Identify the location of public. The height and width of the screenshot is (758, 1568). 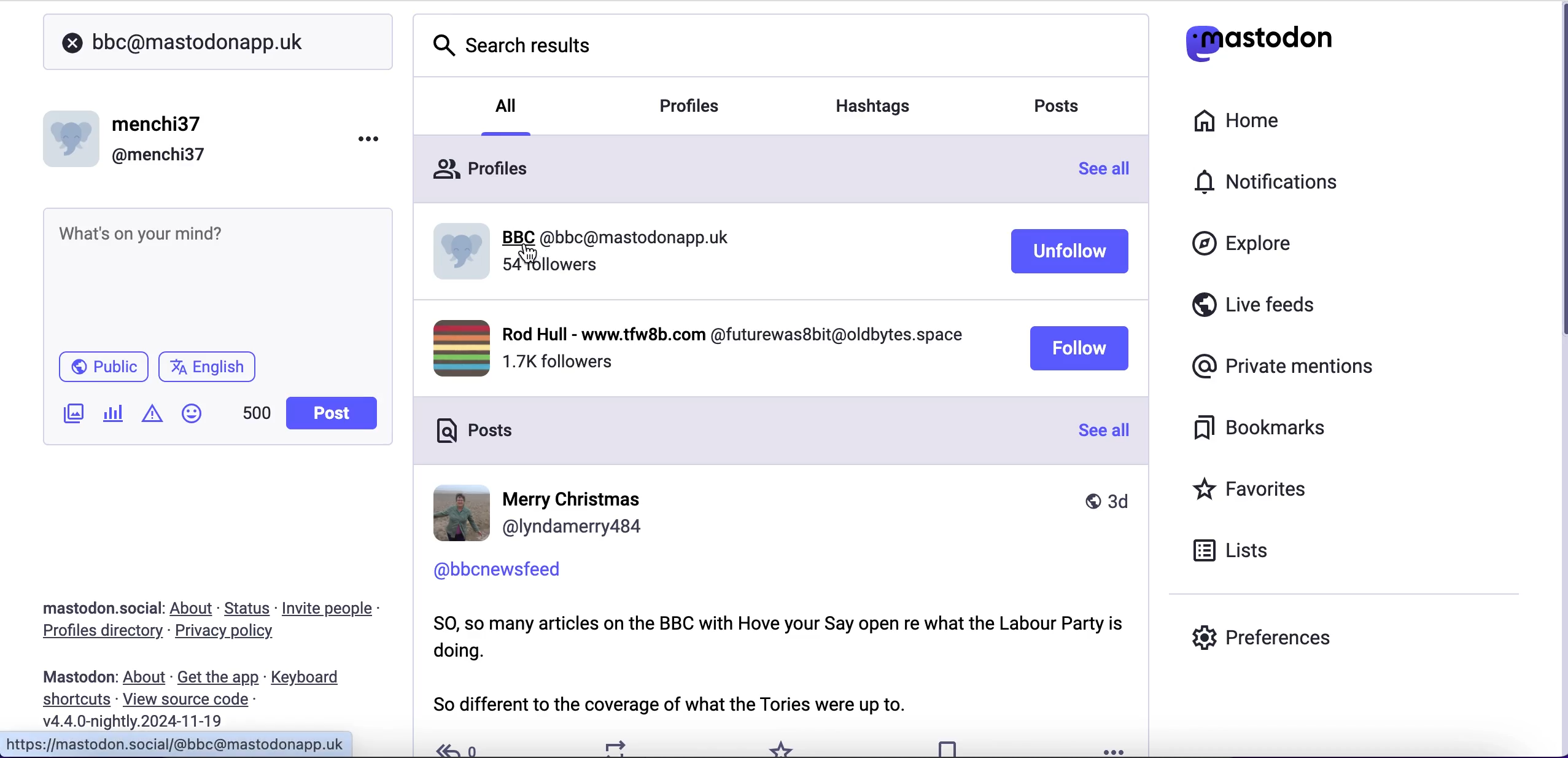
(102, 370).